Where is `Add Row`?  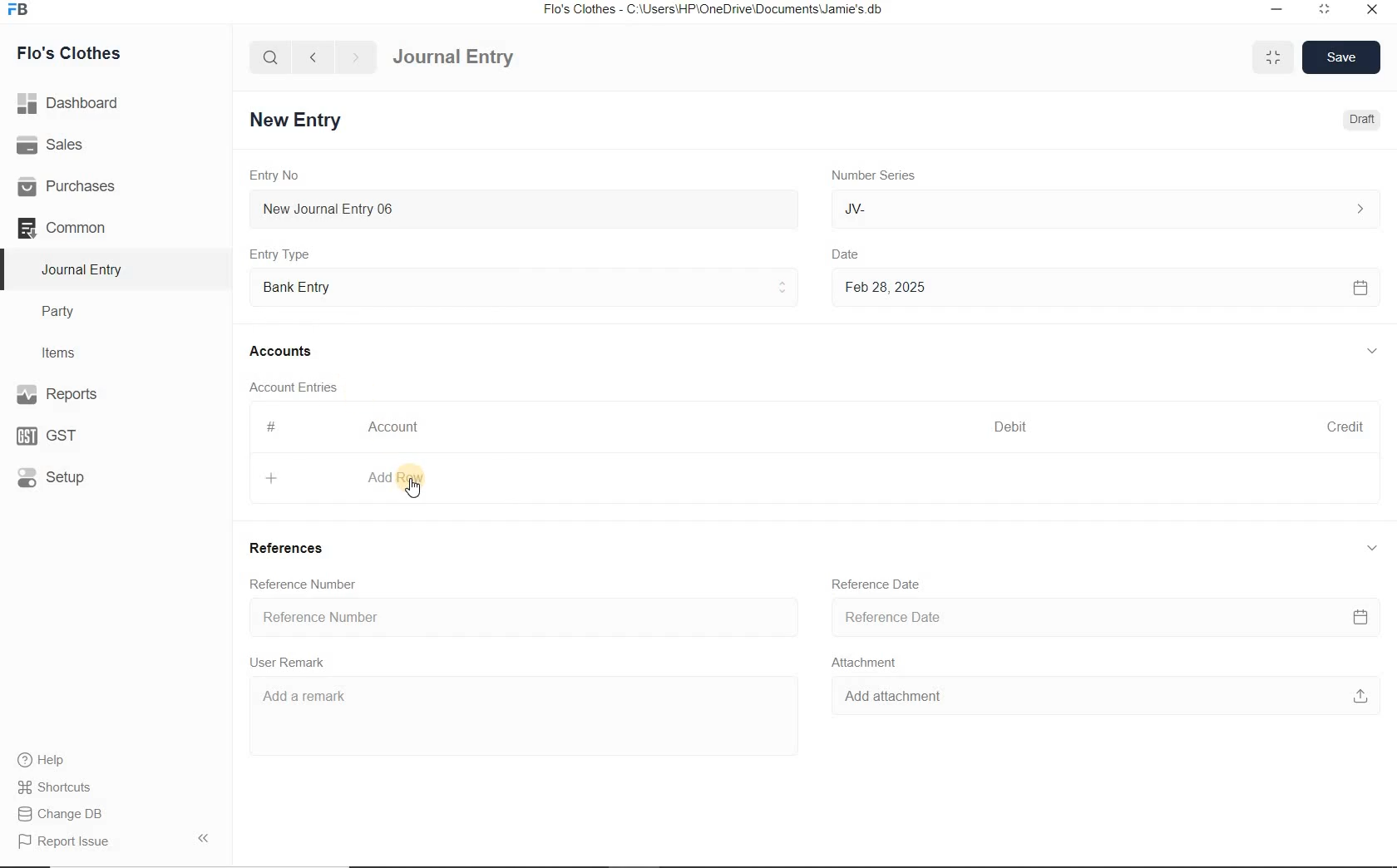
Add Row is located at coordinates (348, 478).